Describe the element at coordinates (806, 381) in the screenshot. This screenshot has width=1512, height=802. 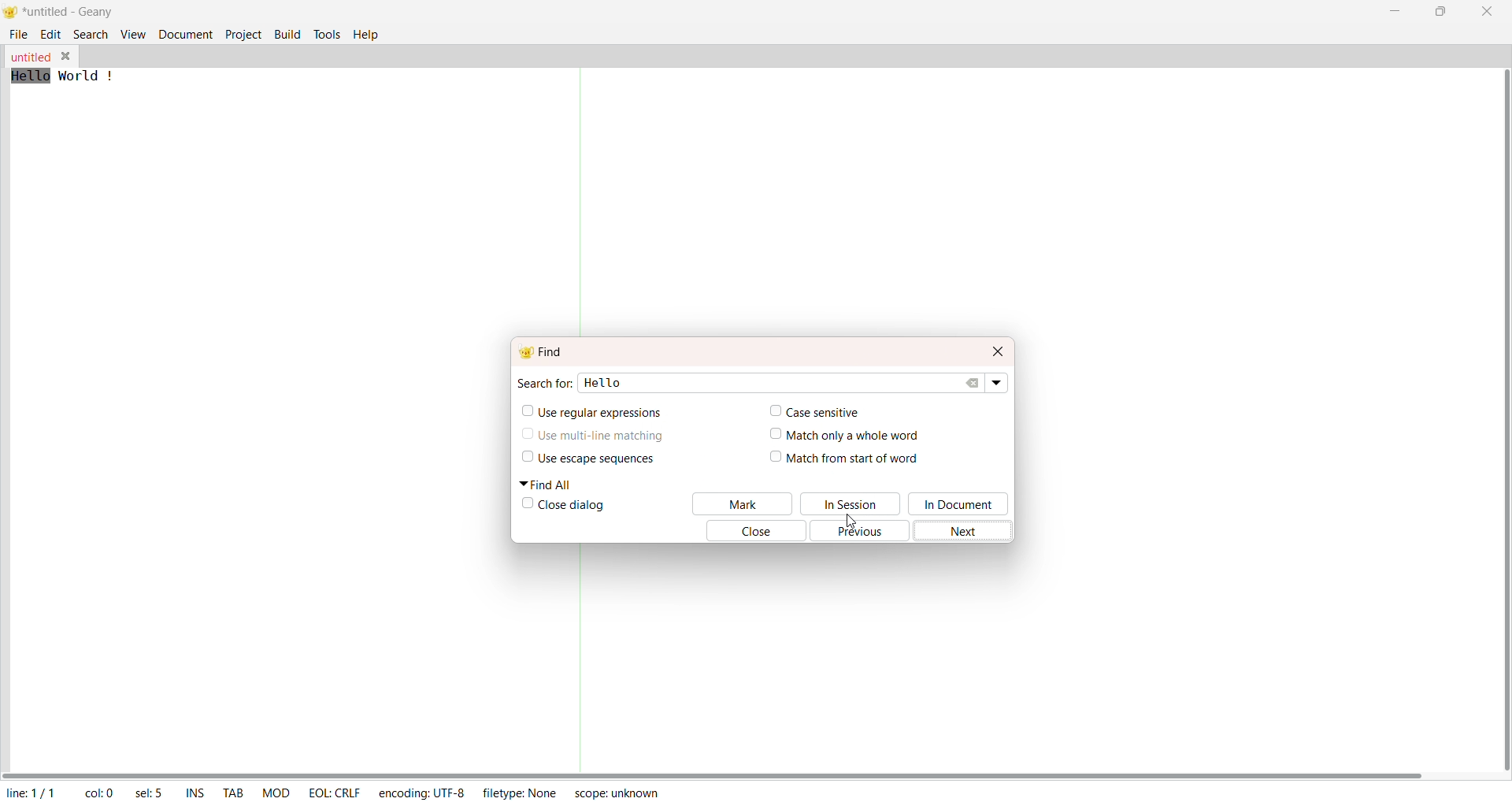
I see `Search bar` at that location.